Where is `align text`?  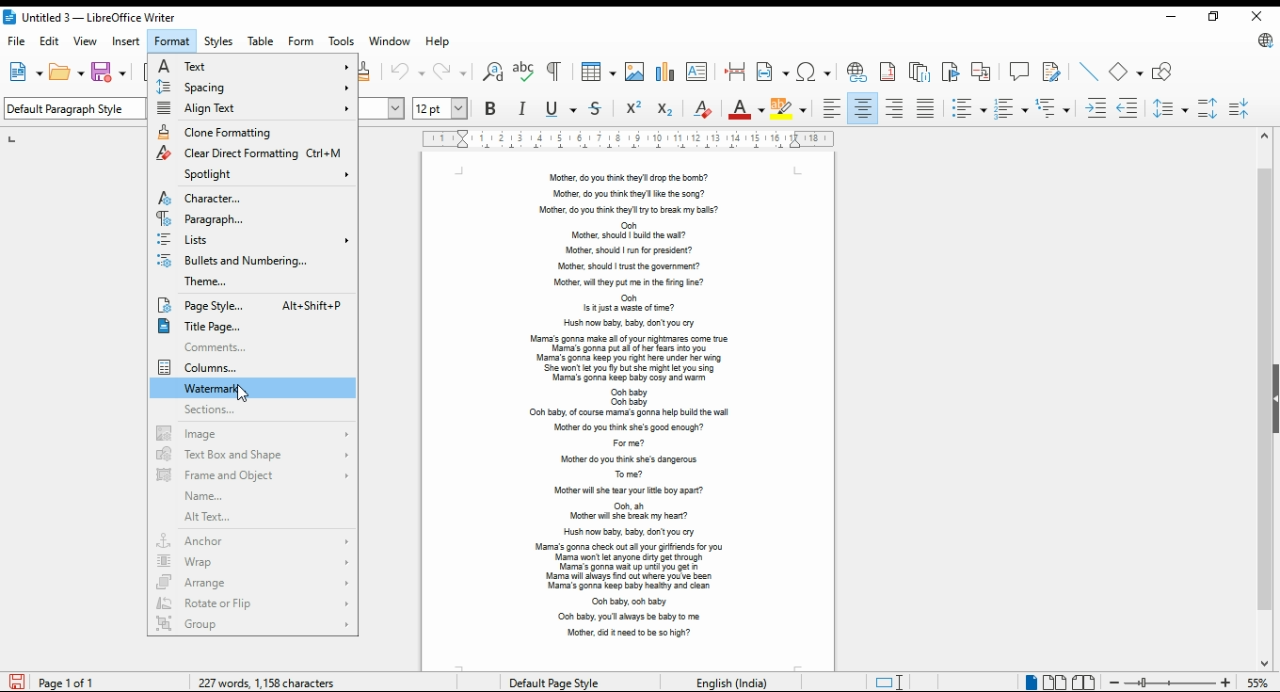
align text is located at coordinates (253, 107).